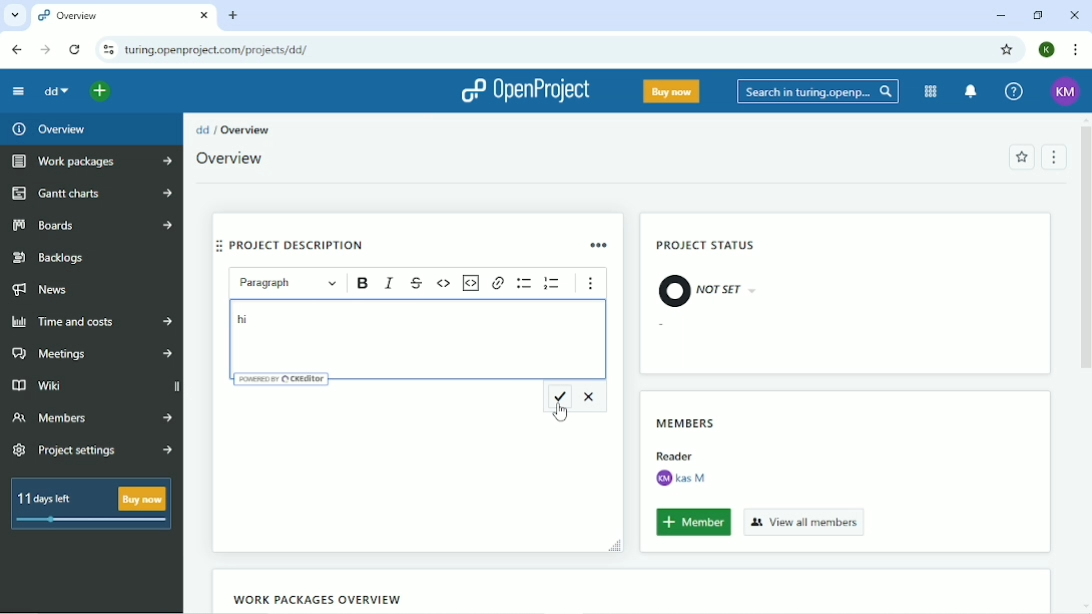 The height and width of the screenshot is (614, 1092). Describe the element at coordinates (380, 243) in the screenshot. I see `Project description` at that location.